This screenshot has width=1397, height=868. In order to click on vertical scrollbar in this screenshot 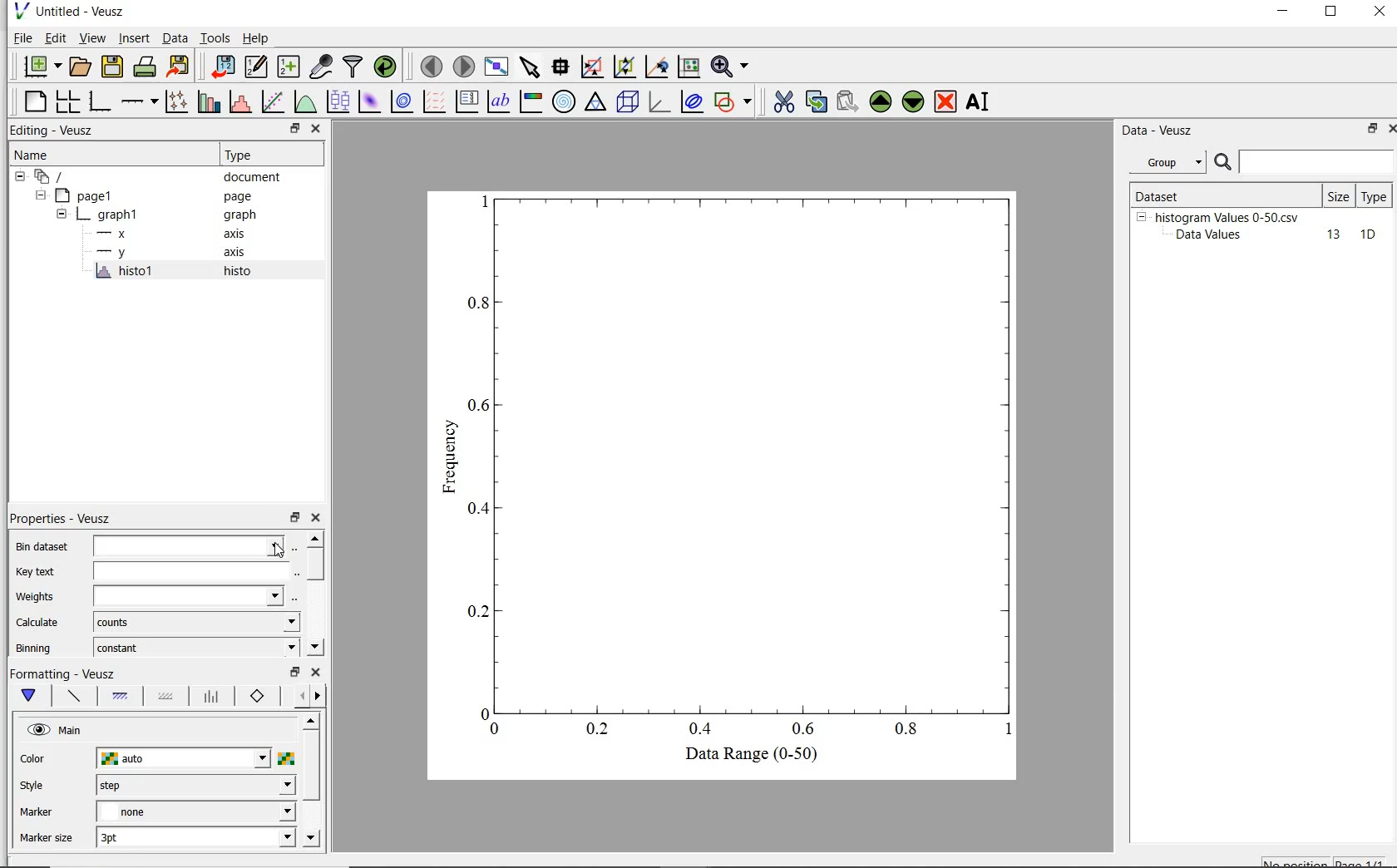, I will do `click(315, 565)`.